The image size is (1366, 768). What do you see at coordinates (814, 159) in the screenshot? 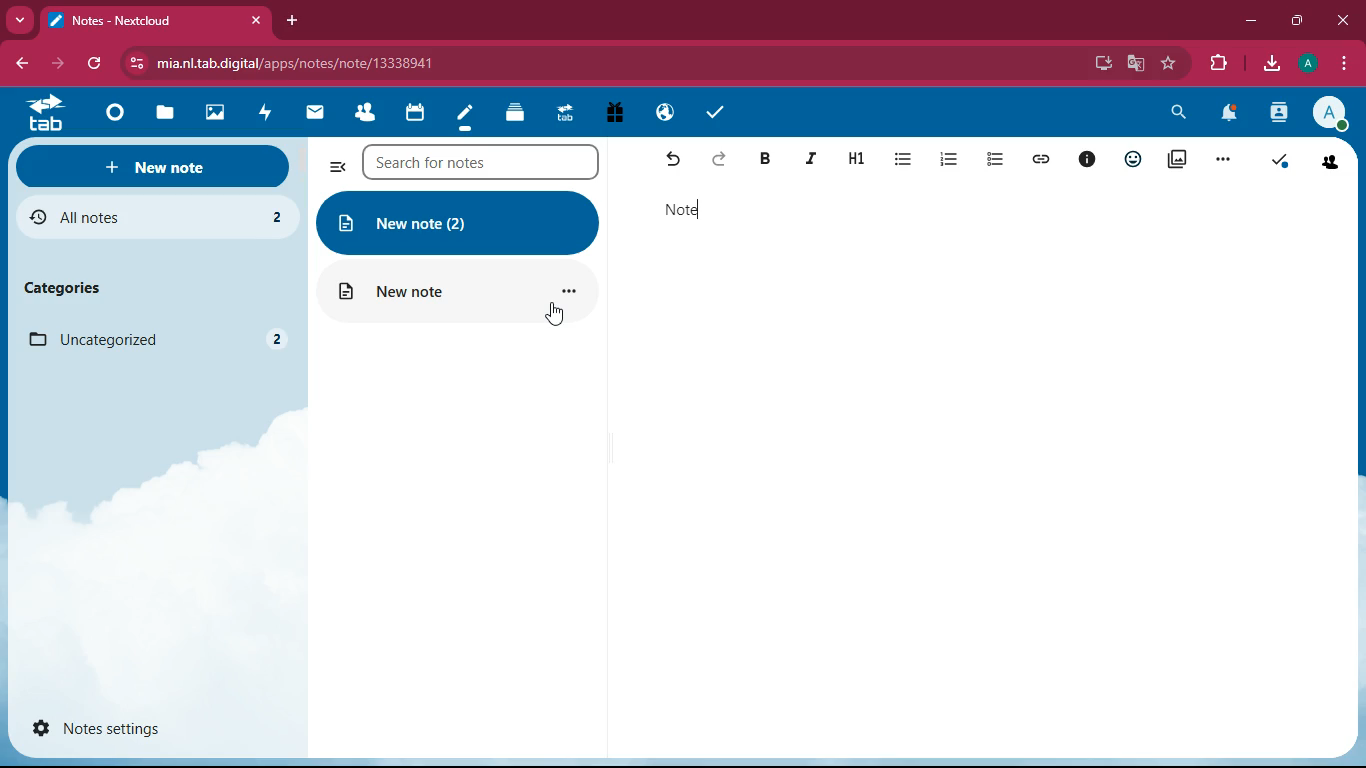
I see `italic` at bounding box center [814, 159].